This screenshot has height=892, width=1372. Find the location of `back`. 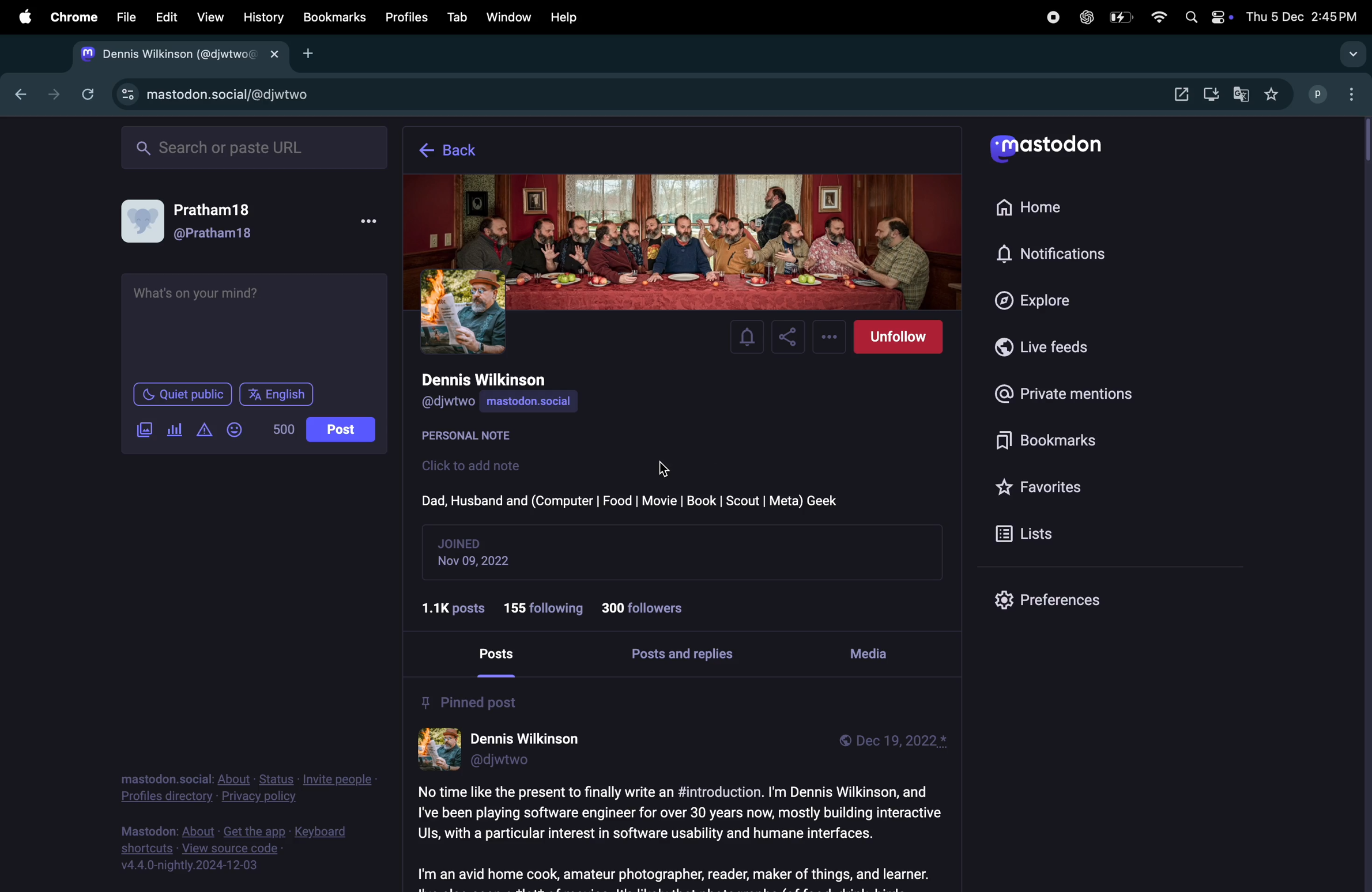

back is located at coordinates (457, 151).